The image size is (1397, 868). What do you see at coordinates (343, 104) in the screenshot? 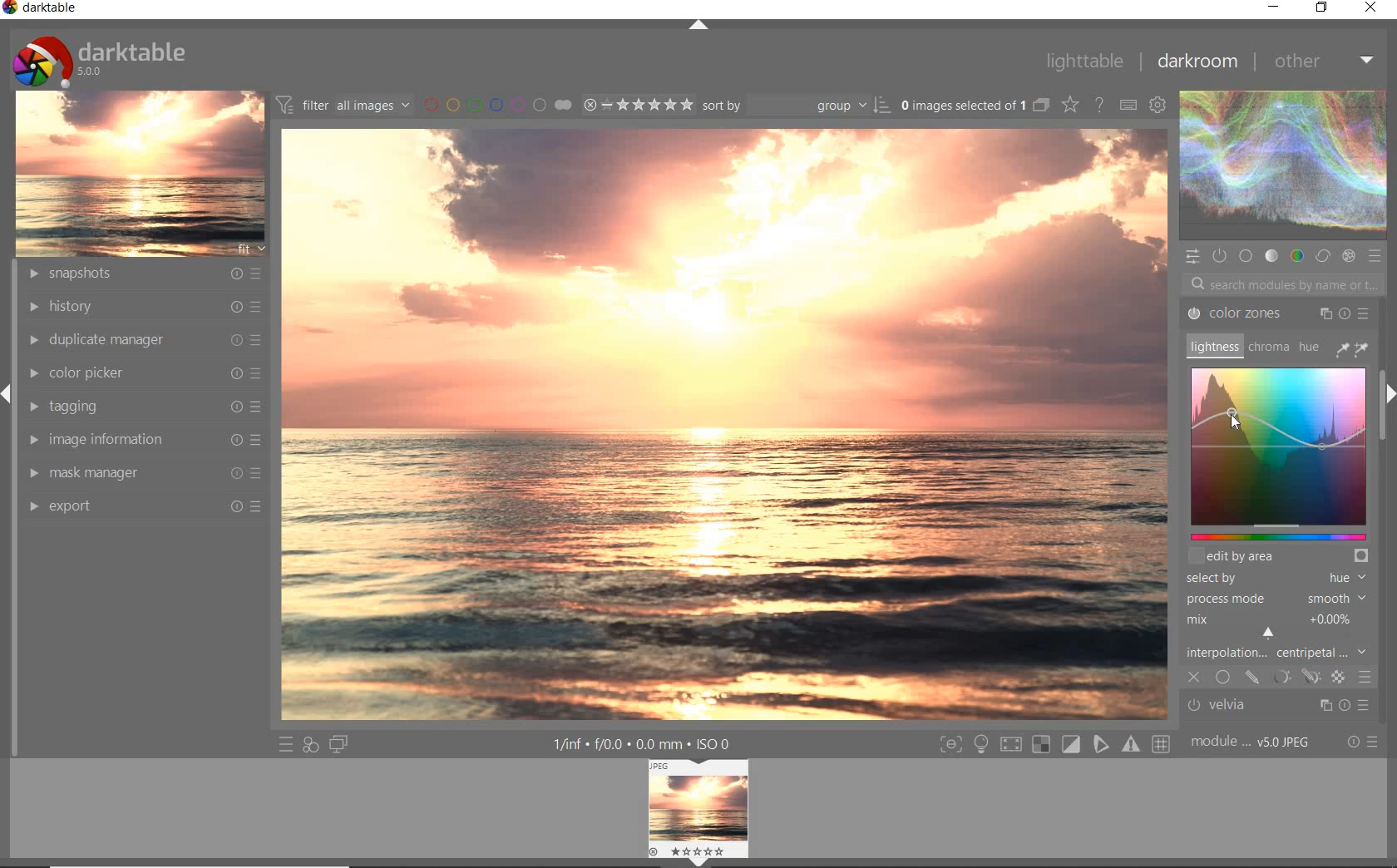
I see `FITER IMAGES` at bounding box center [343, 104].